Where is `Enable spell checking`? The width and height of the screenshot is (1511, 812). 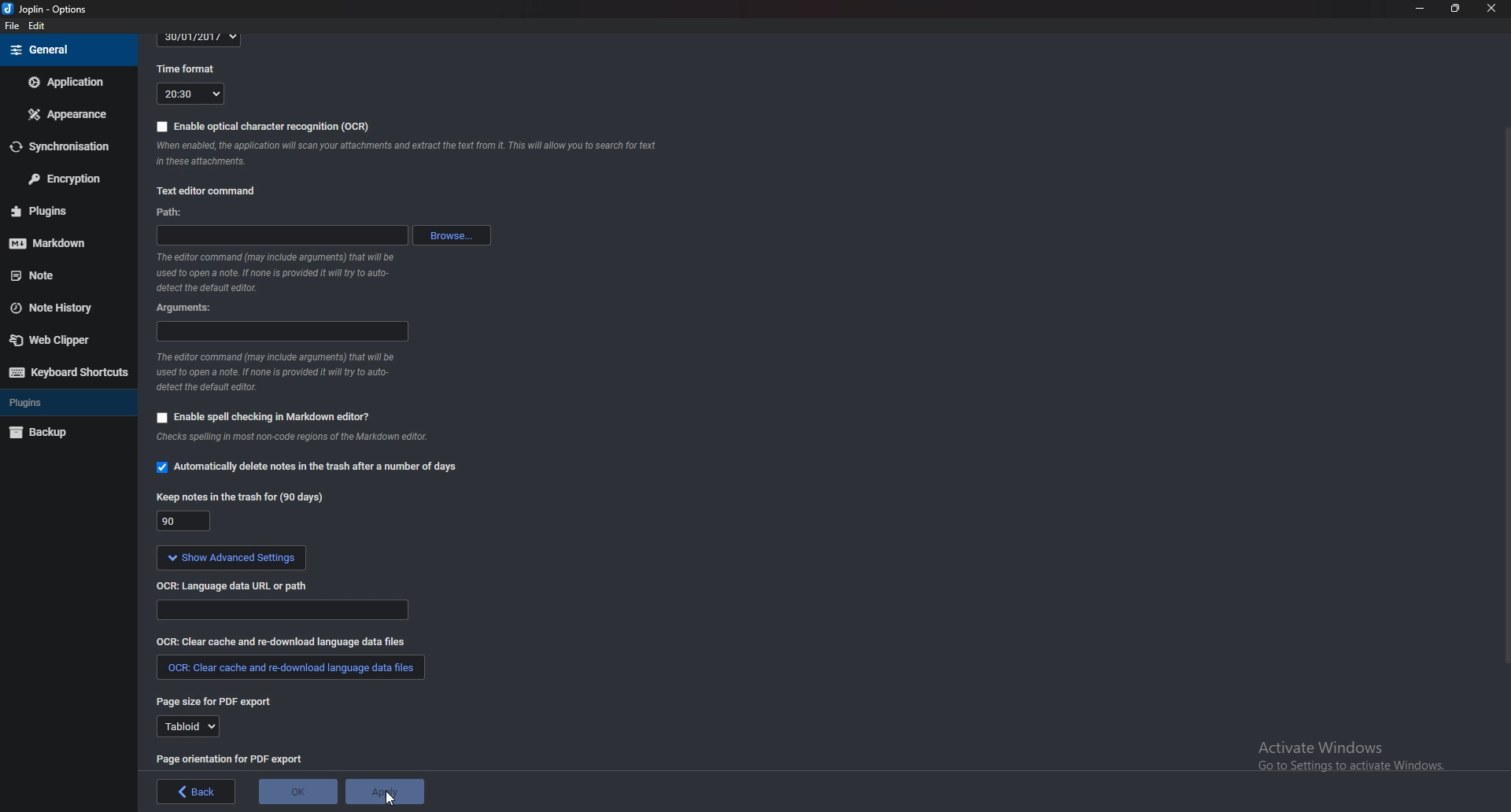
Enable spell checking is located at coordinates (263, 417).